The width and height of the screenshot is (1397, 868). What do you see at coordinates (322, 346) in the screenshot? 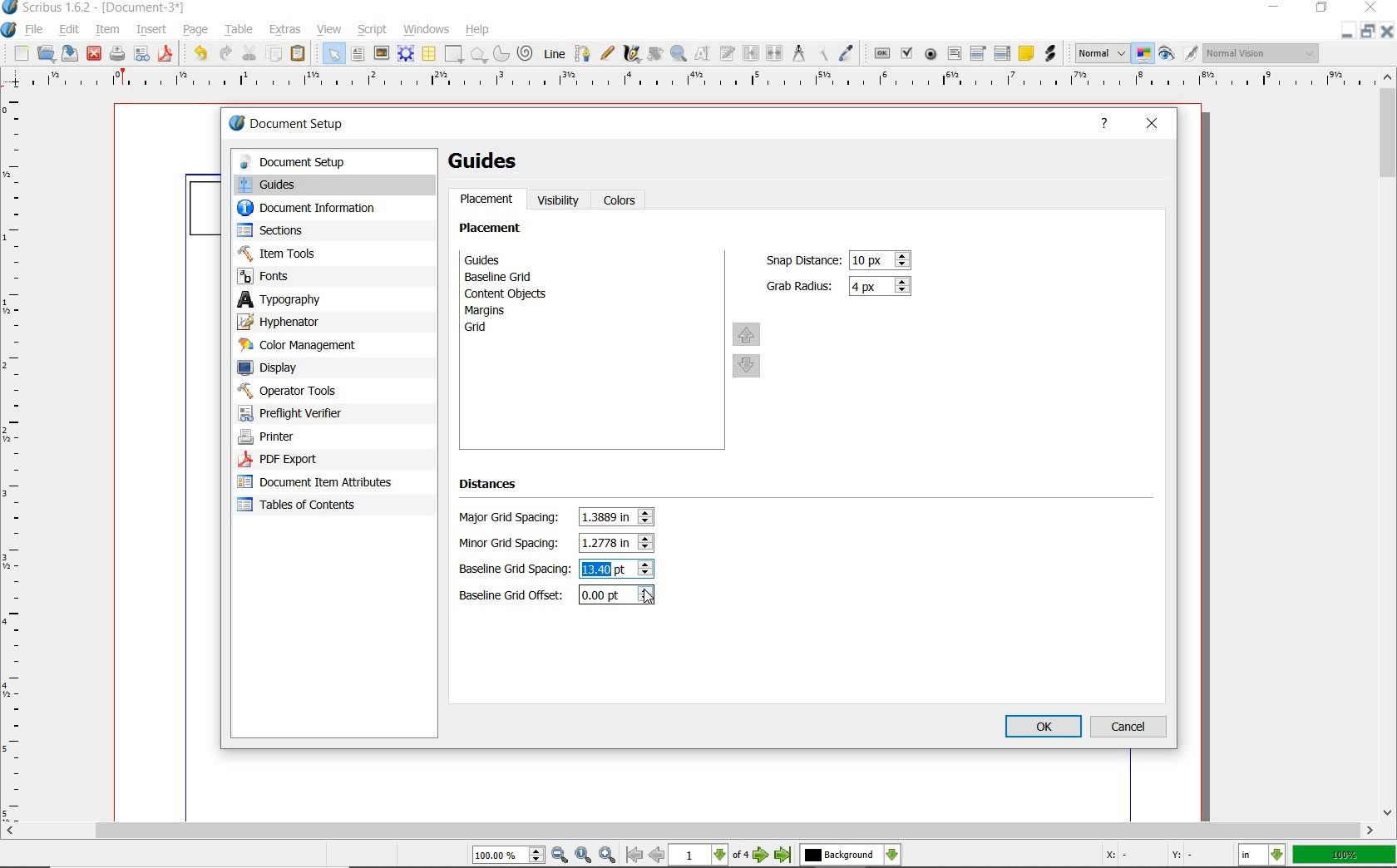
I see `color management` at bounding box center [322, 346].